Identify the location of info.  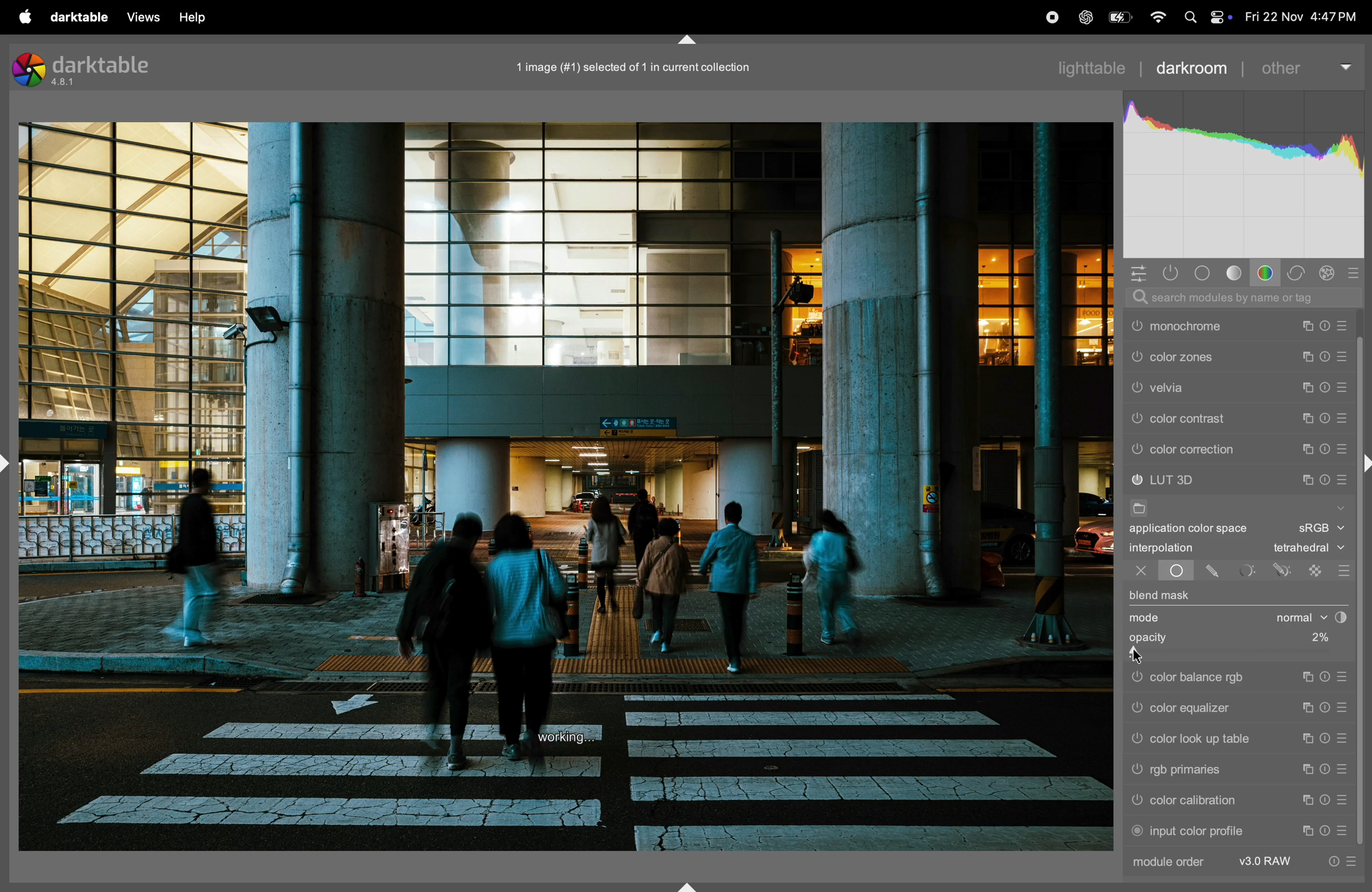
(1347, 860).